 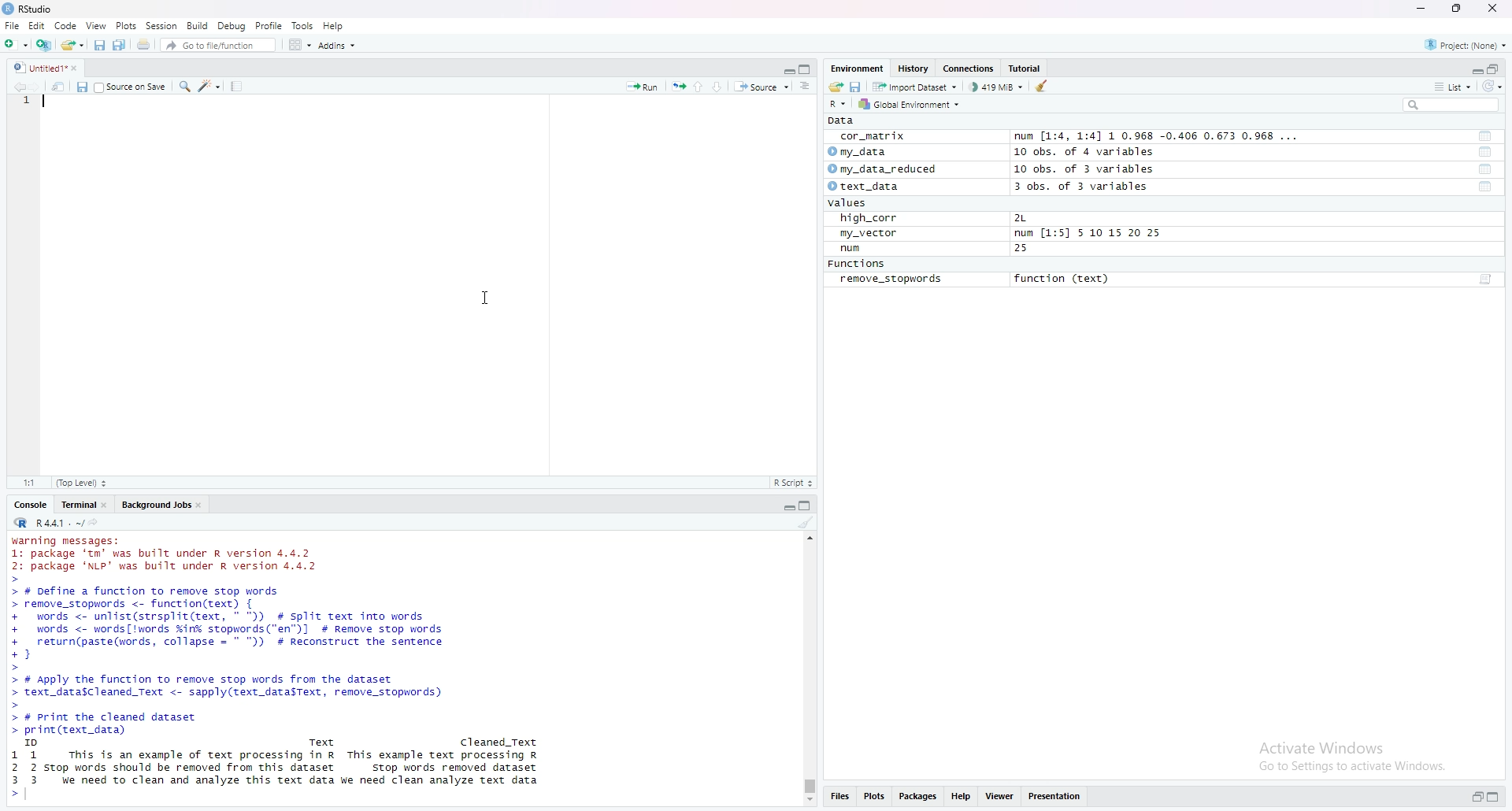 What do you see at coordinates (279, 709) in the screenshot?
I see `> # Apply the function to remove stop words from the dataset
> text_datasCleaned_Text <- sapply(text_datasText, remove_stopuords)
> # print the cleaned dataset
> print(text_data)
I Text Cleaned_Text` at bounding box center [279, 709].